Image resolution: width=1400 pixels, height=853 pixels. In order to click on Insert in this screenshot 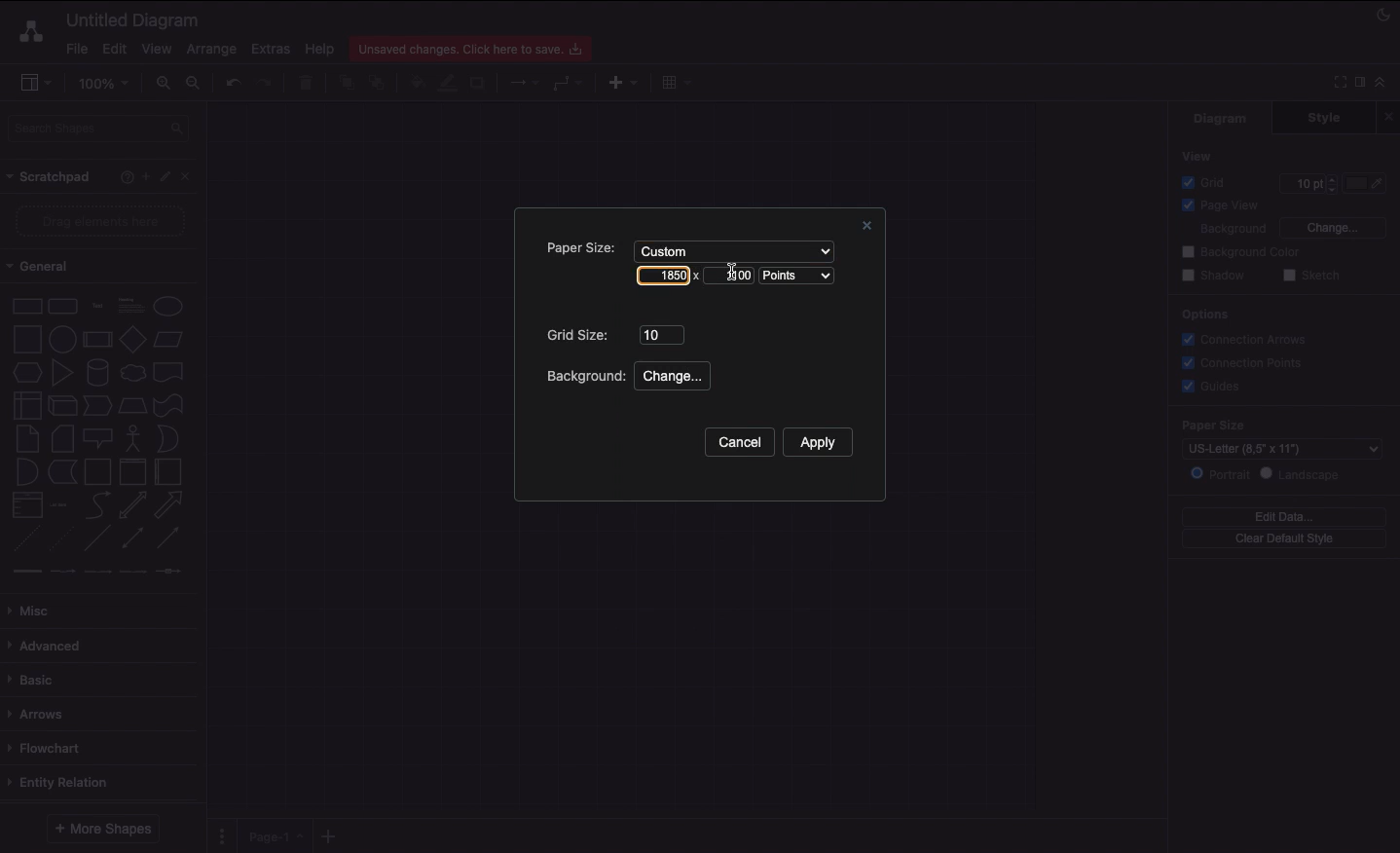, I will do `click(618, 81)`.